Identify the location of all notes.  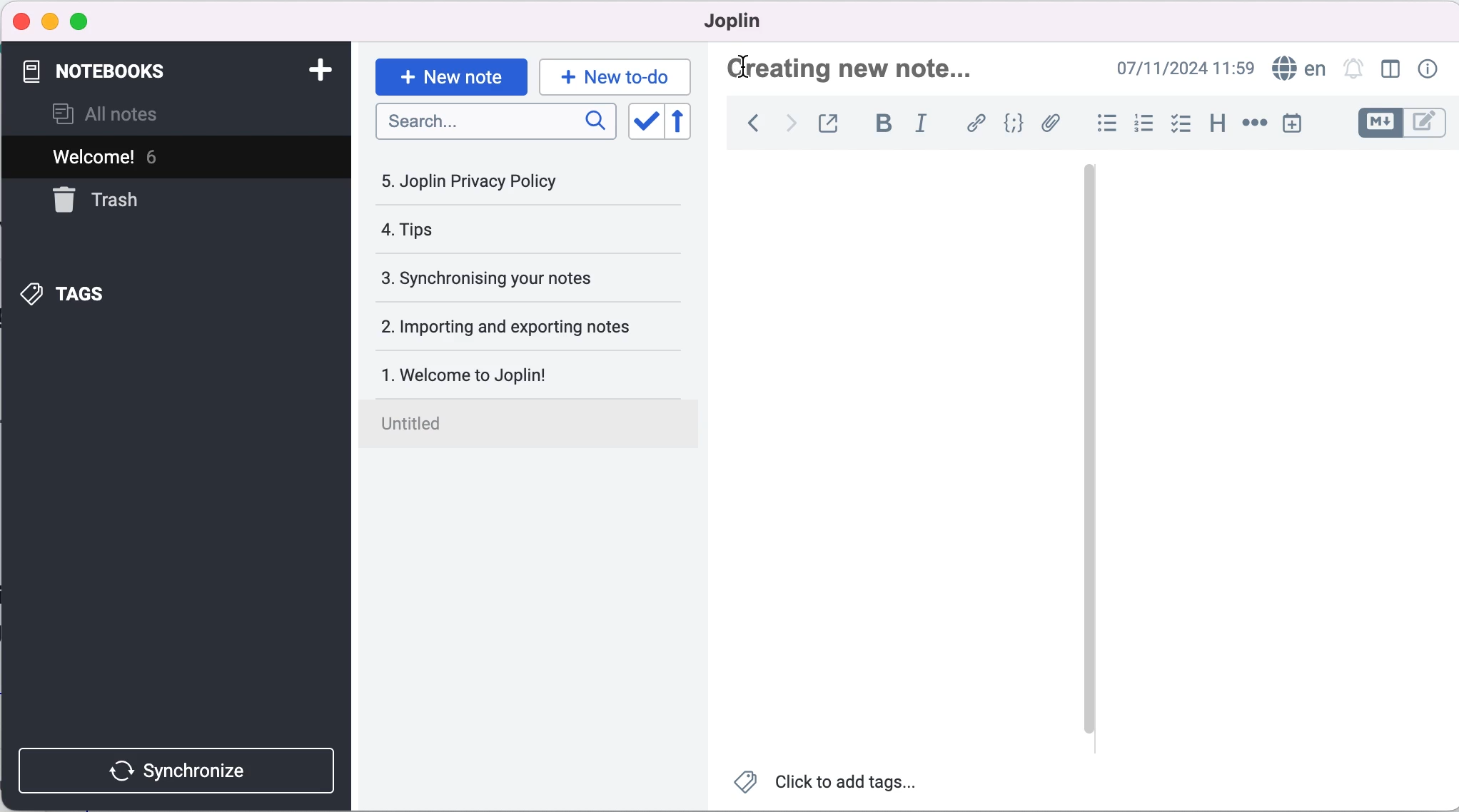
(124, 113).